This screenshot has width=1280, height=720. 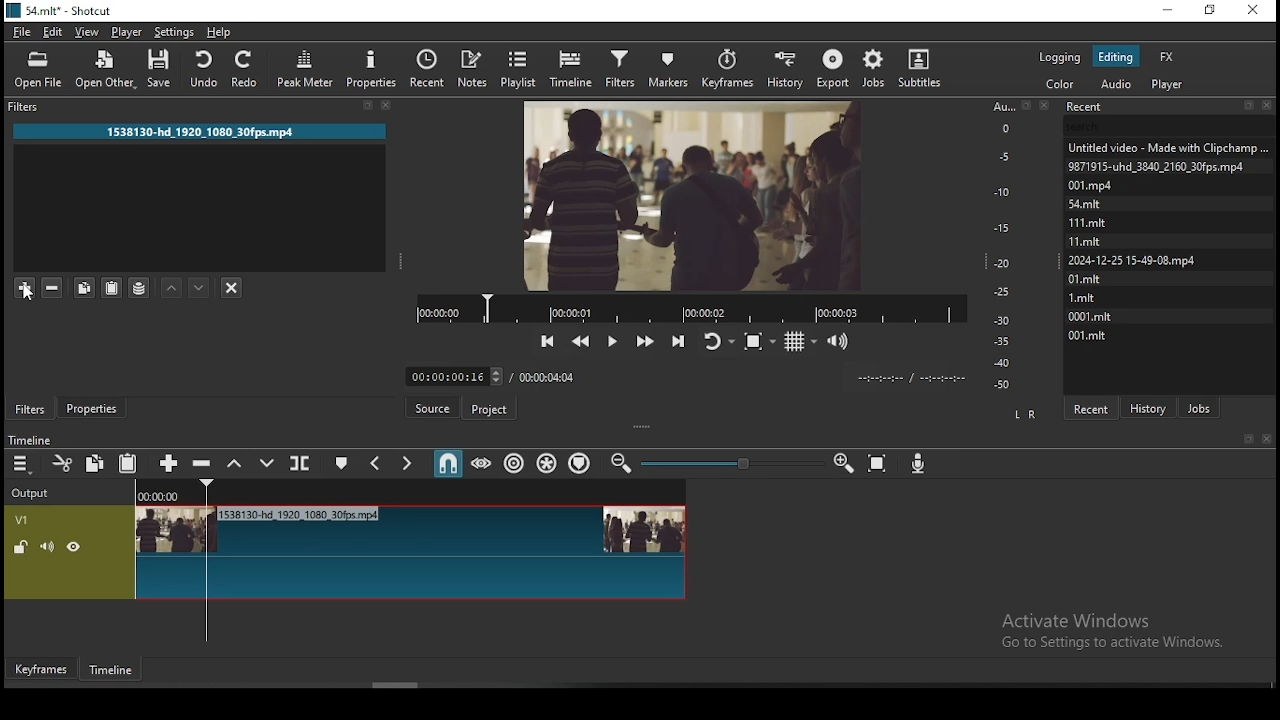 I want to click on file, so click(x=24, y=32).